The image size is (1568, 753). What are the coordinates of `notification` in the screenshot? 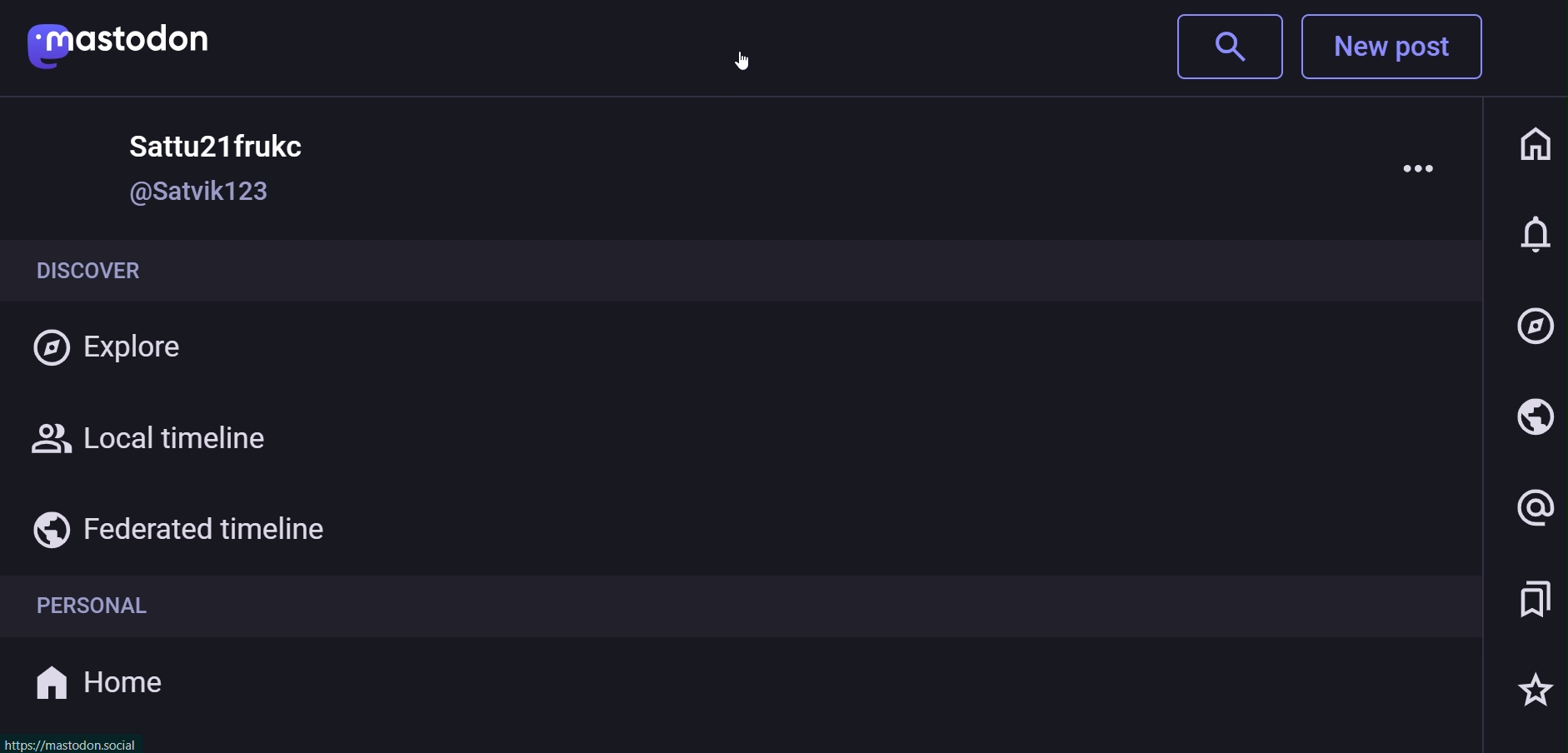 It's located at (1536, 239).